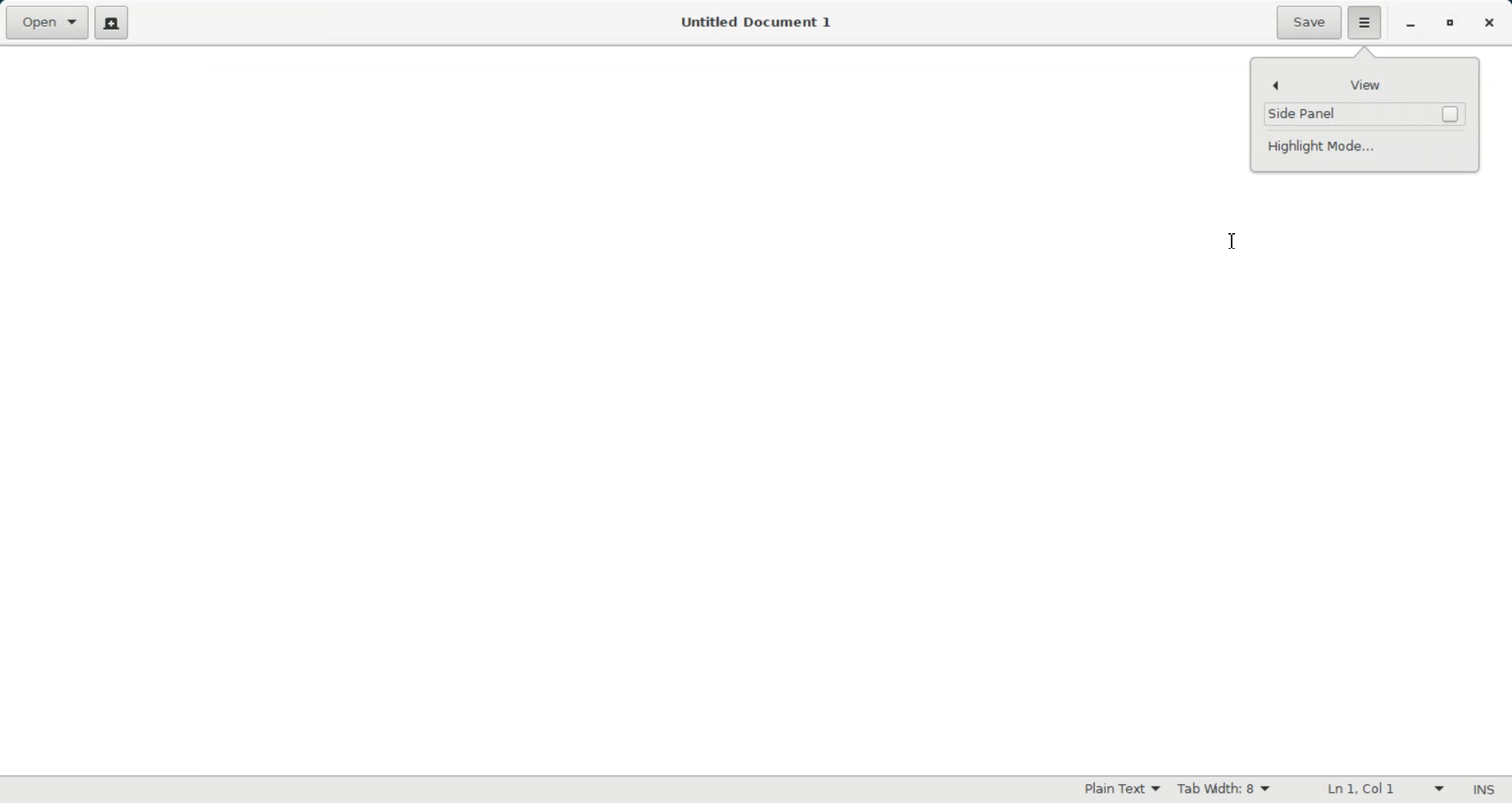 Image resolution: width=1512 pixels, height=803 pixels. Describe the element at coordinates (1484, 789) in the screenshot. I see `Insert` at that location.